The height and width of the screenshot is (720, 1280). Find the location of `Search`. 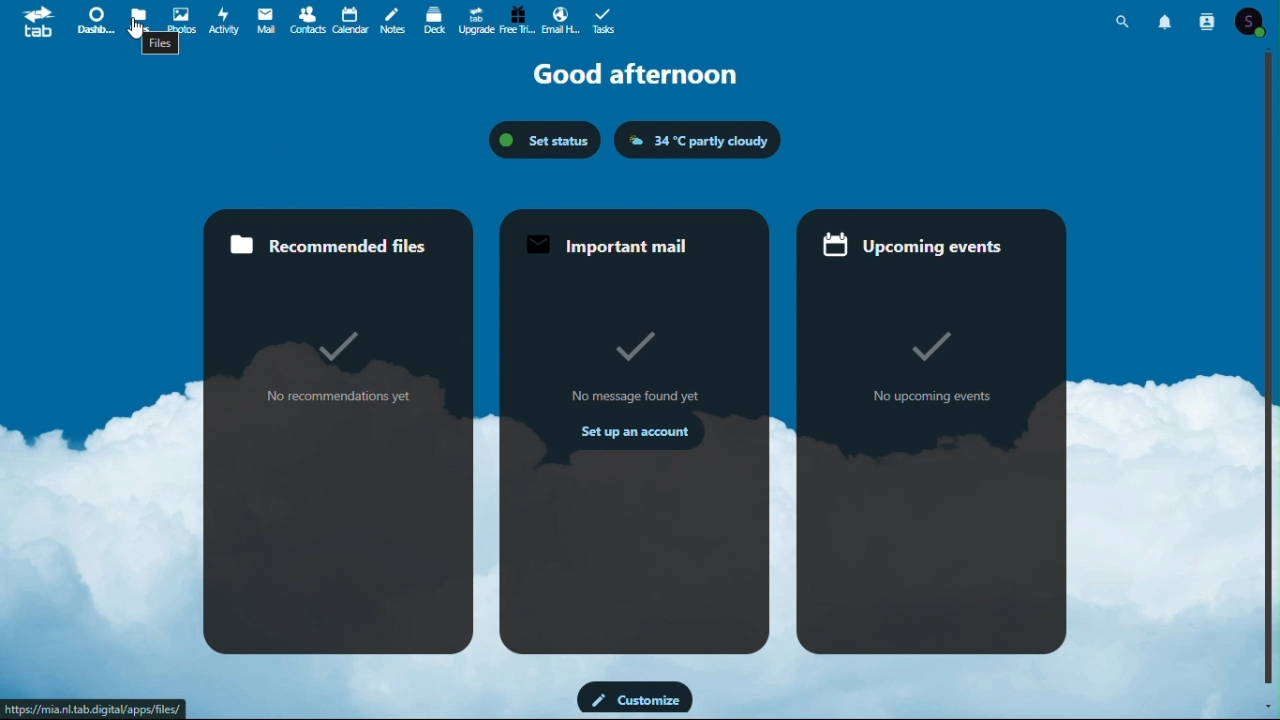

Search is located at coordinates (1126, 18).